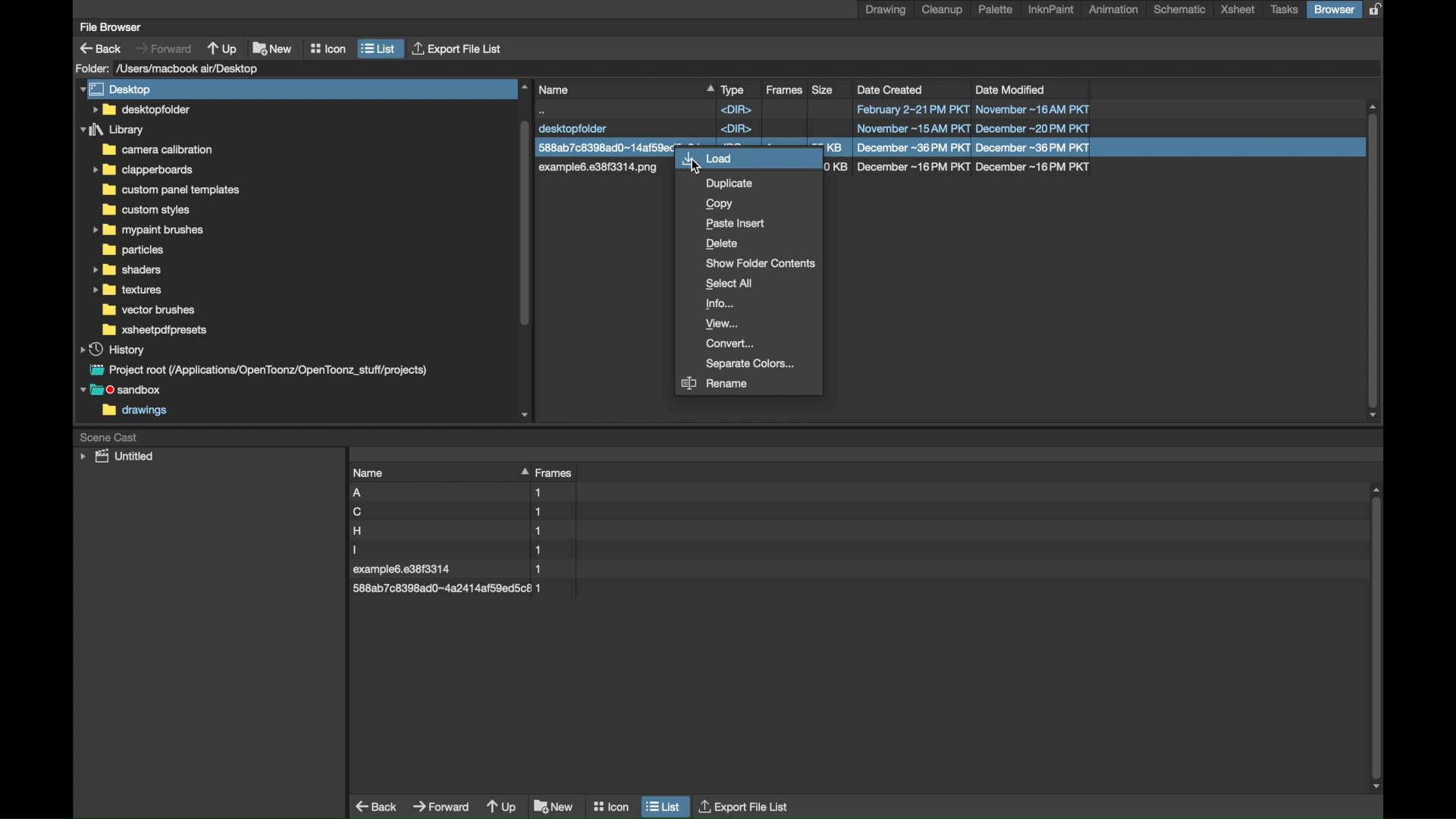 The width and height of the screenshot is (1456, 819). I want to click on folder location, so click(190, 68).